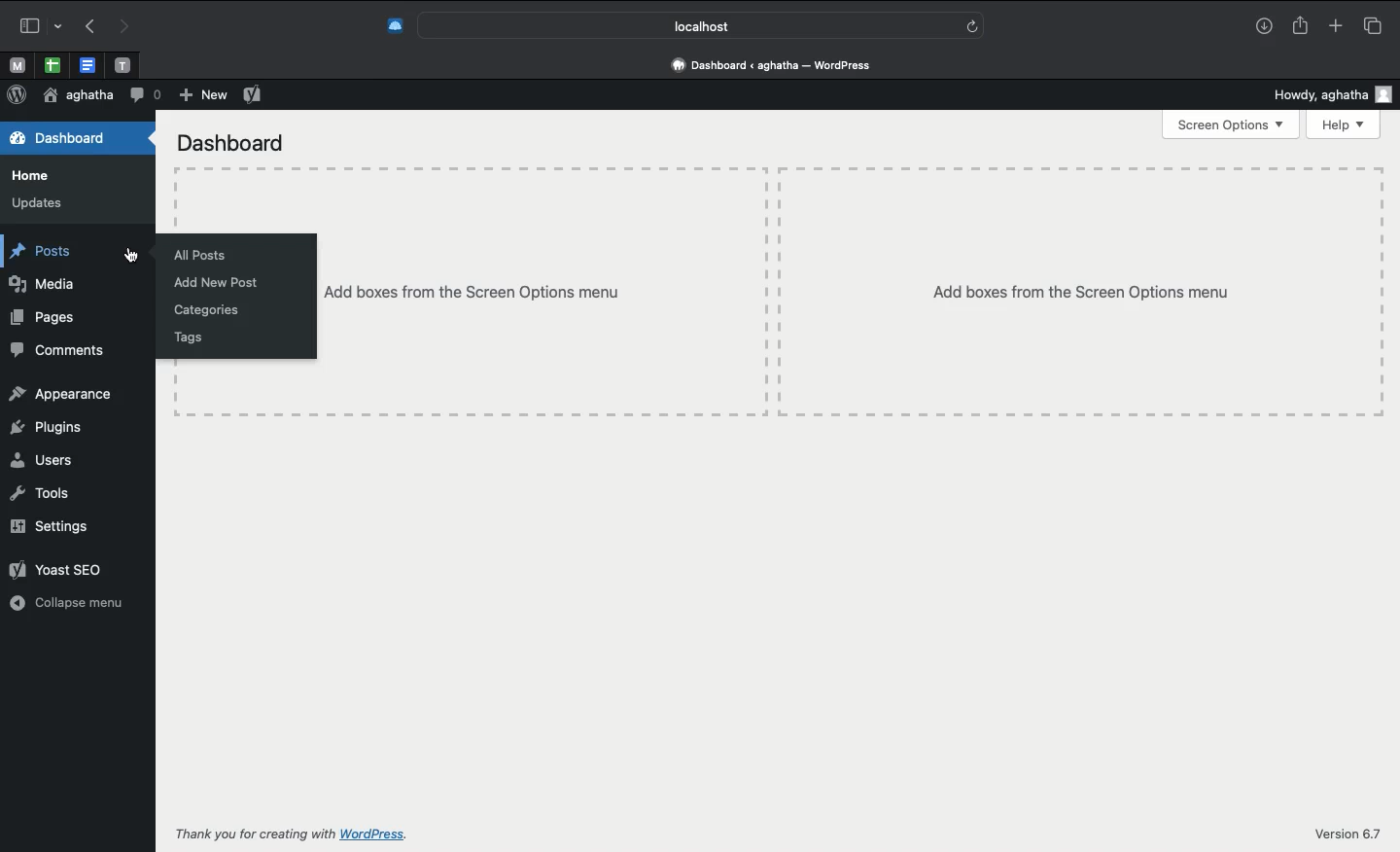 Image resolution: width=1400 pixels, height=852 pixels. Describe the element at coordinates (41, 253) in the screenshot. I see `Posts` at that location.